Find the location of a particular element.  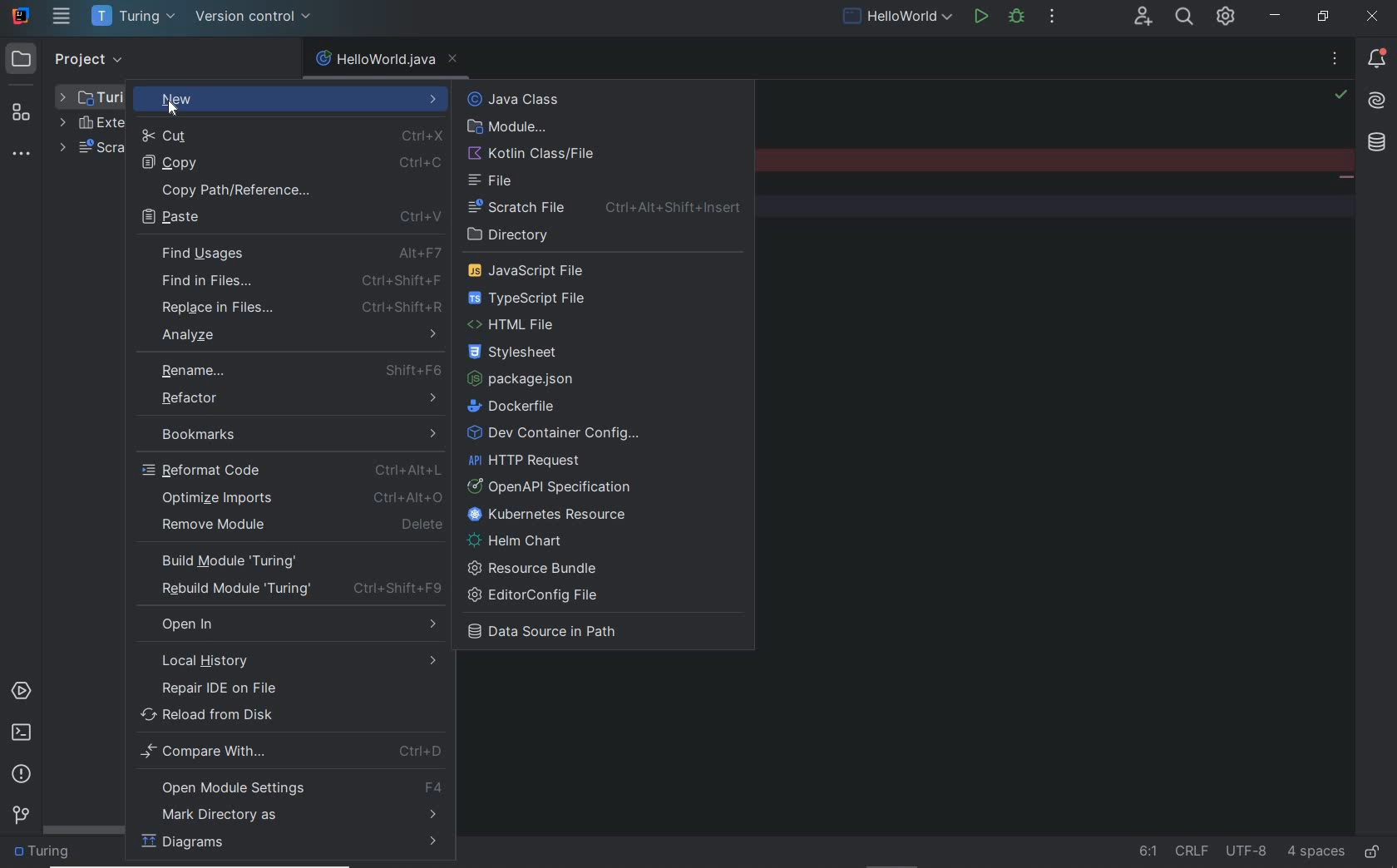

CLOSE is located at coordinates (1375, 16).